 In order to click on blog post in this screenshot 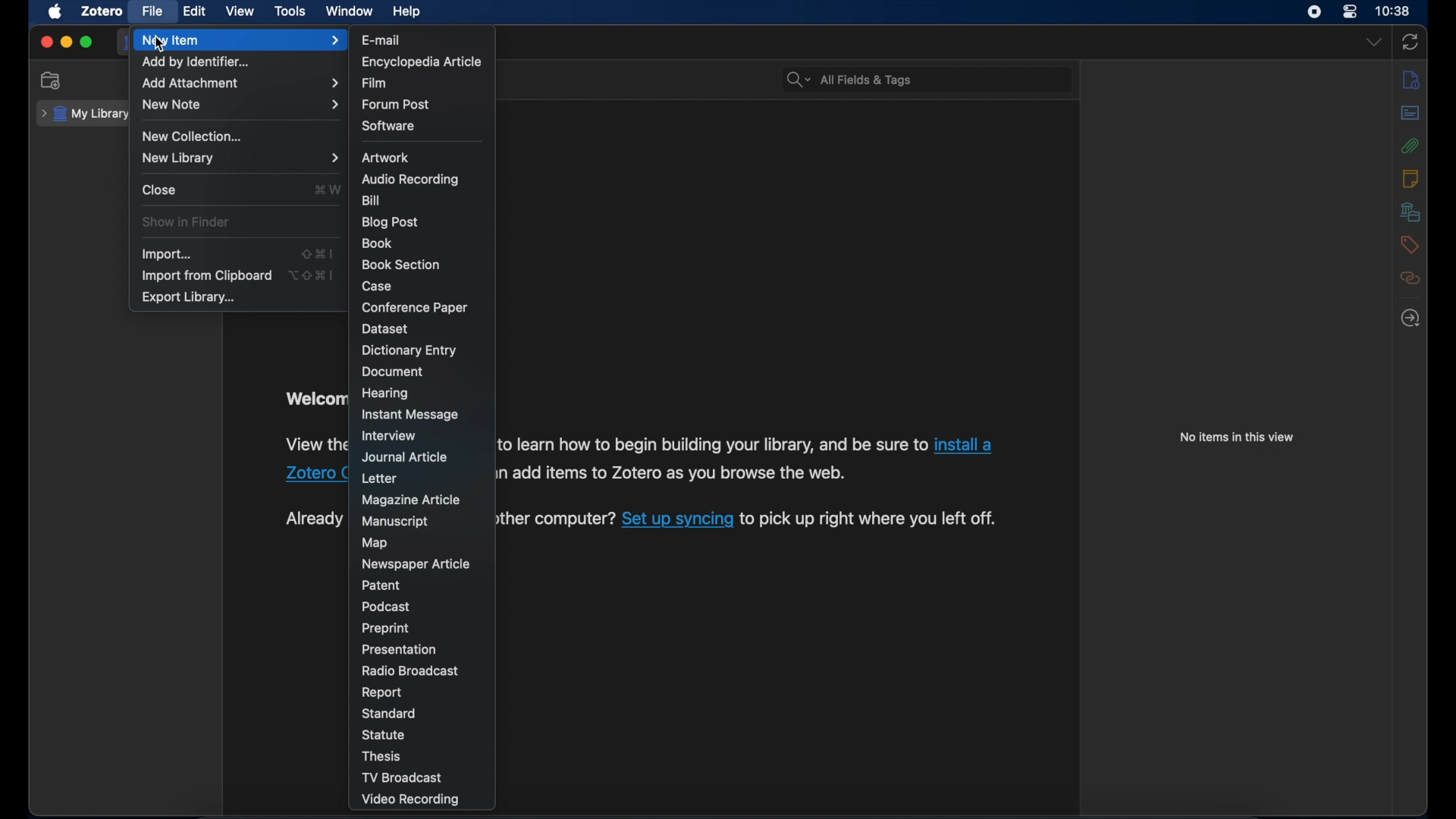, I will do `click(391, 222)`.